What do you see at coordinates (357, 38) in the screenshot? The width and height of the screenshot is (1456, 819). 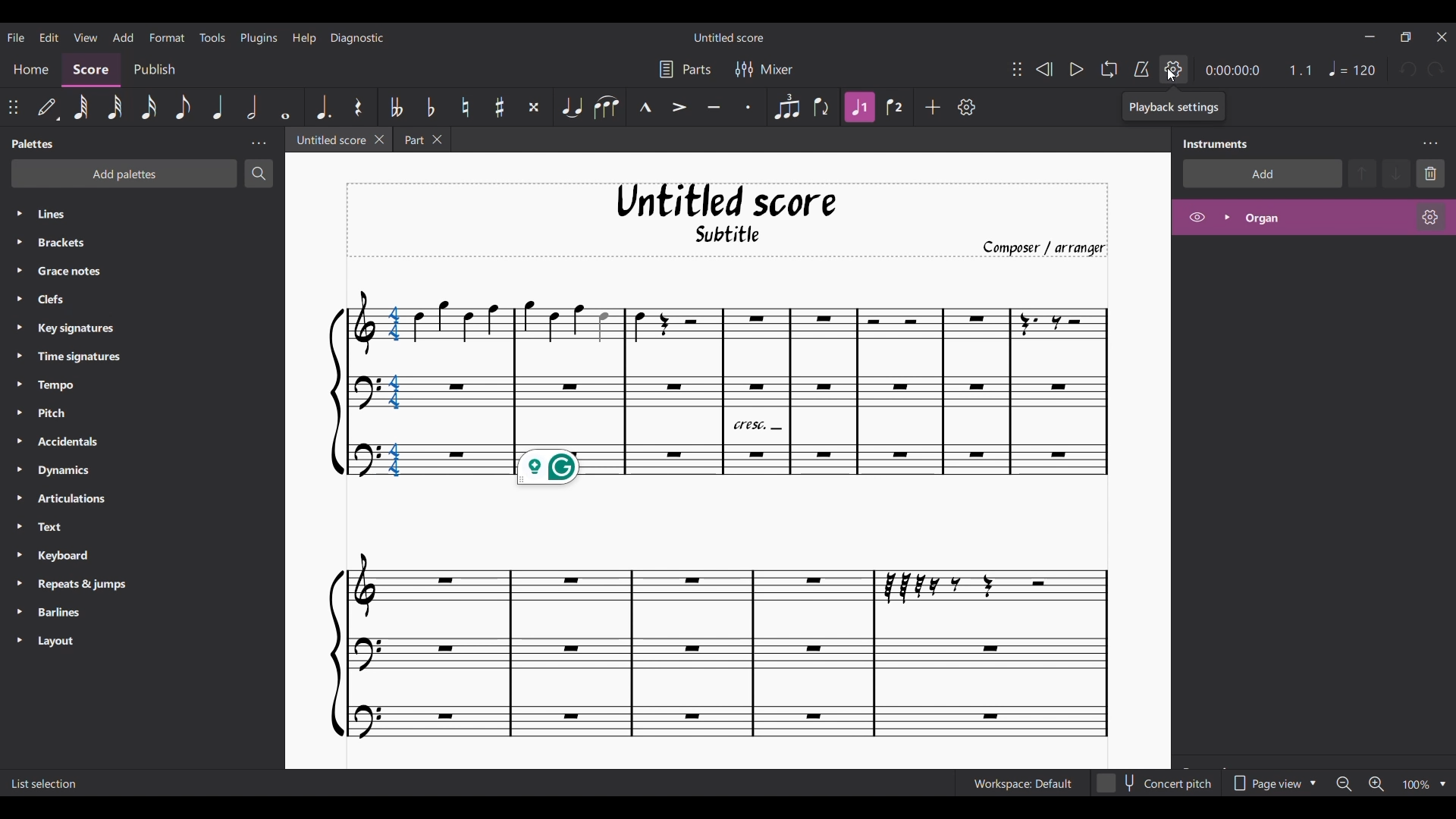 I see `Diagnostic menu` at bounding box center [357, 38].